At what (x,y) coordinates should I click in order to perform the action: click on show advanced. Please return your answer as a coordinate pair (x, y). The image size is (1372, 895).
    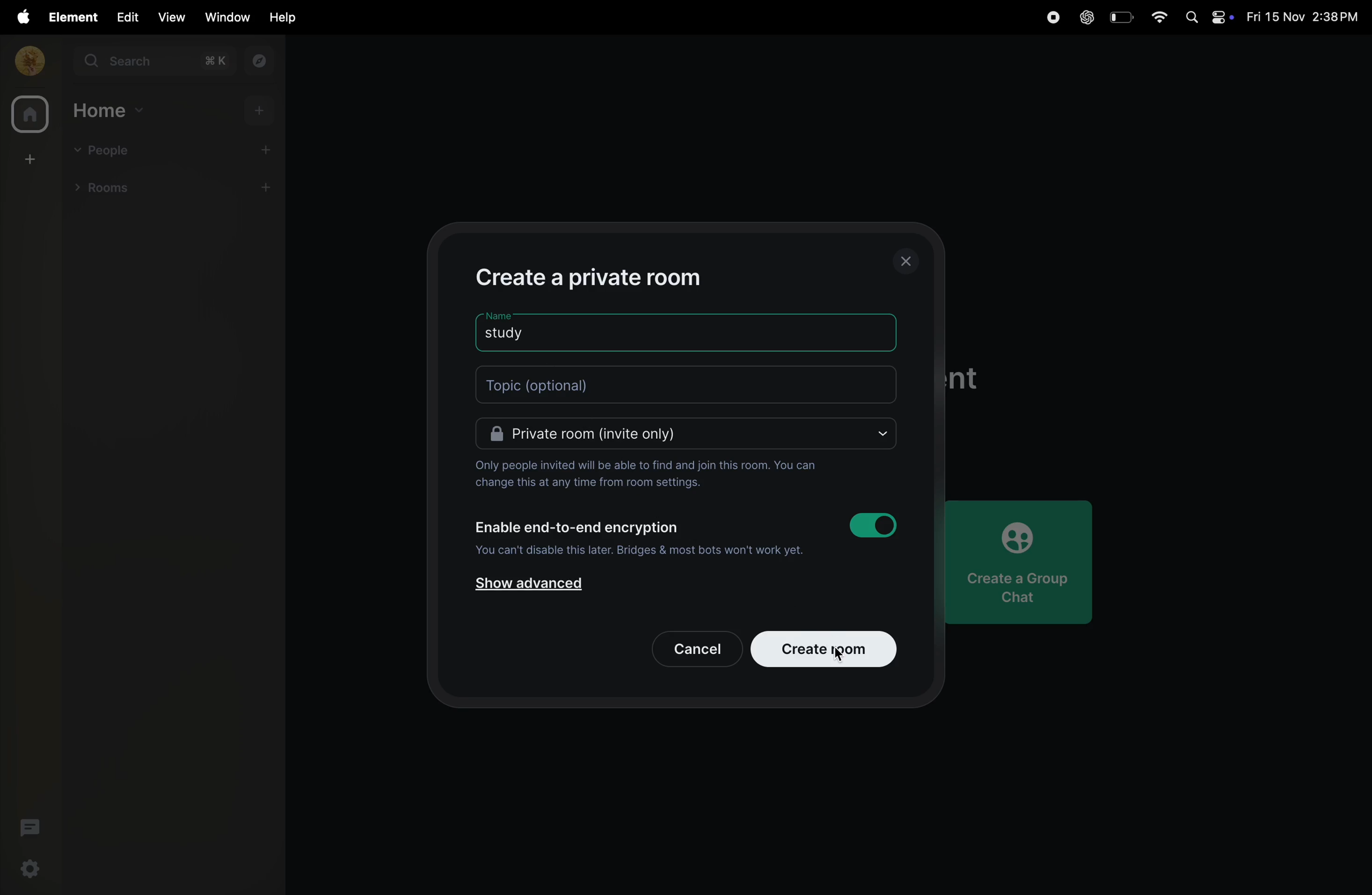
    Looking at the image, I should click on (541, 588).